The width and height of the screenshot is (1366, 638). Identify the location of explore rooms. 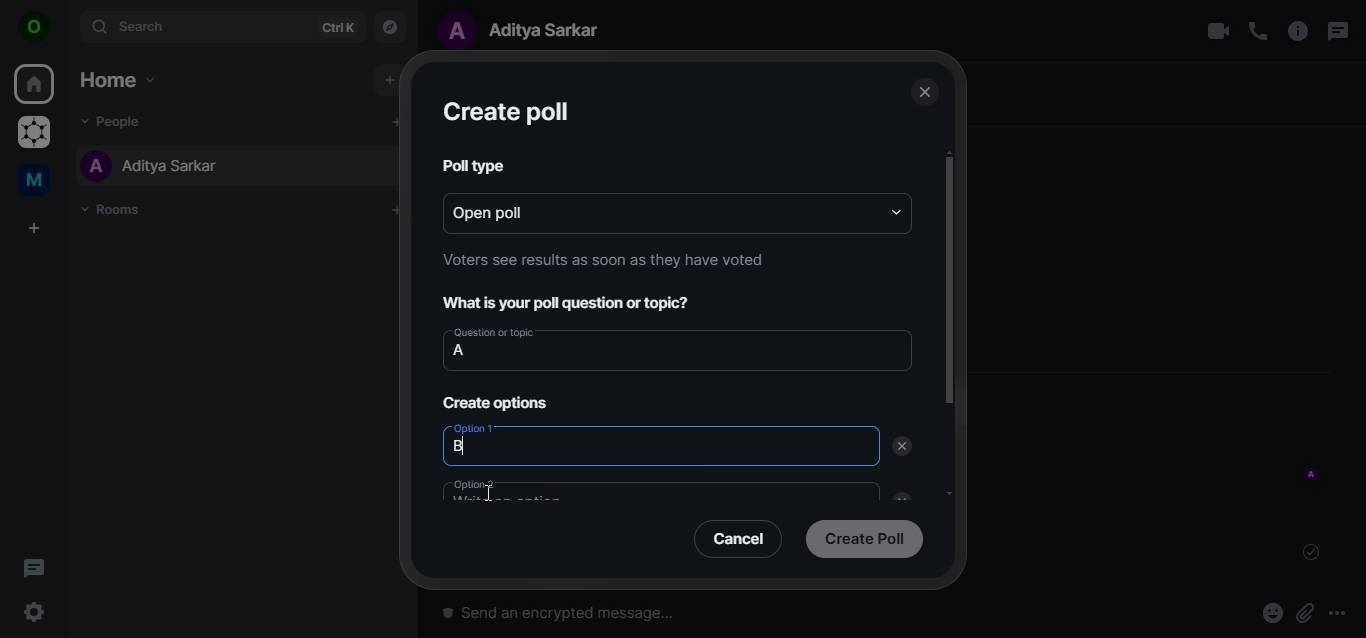
(391, 25).